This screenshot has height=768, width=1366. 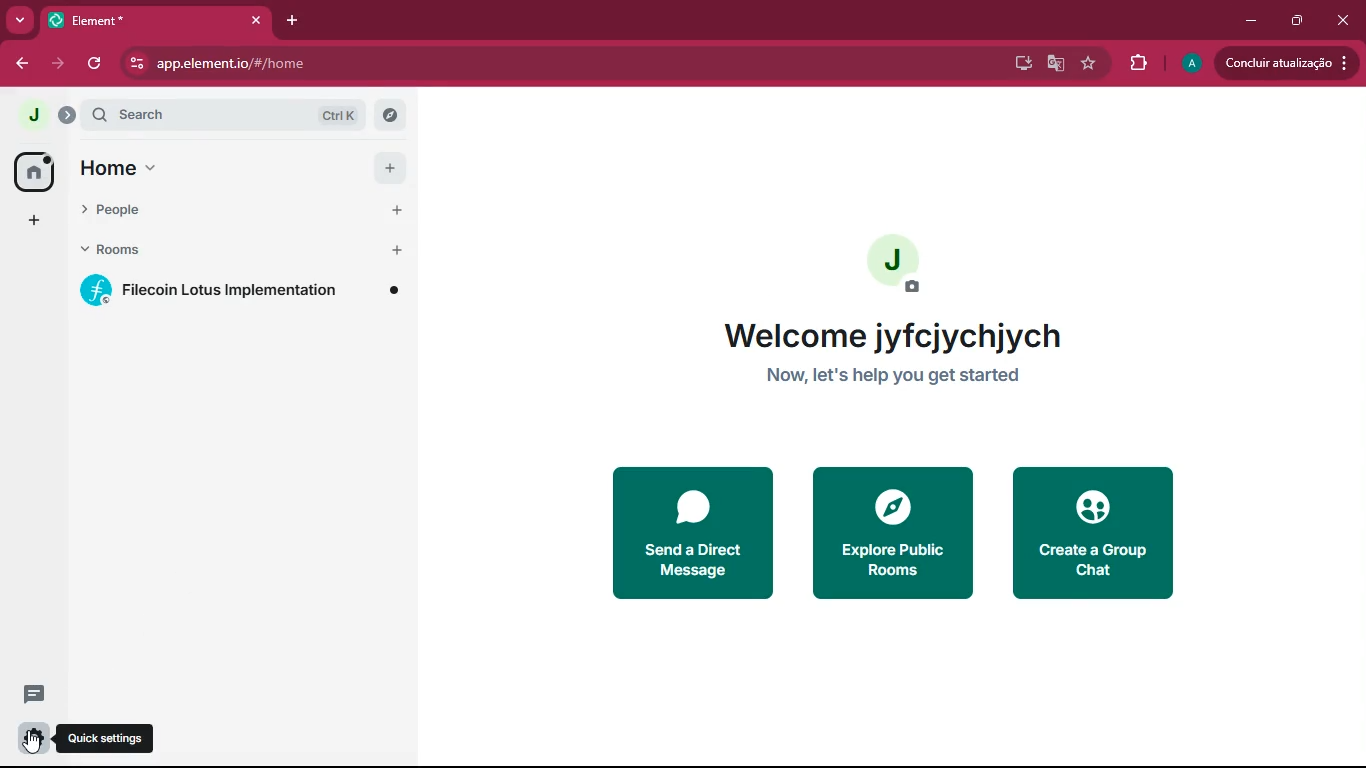 What do you see at coordinates (20, 21) in the screenshot?
I see `more` at bounding box center [20, 21].